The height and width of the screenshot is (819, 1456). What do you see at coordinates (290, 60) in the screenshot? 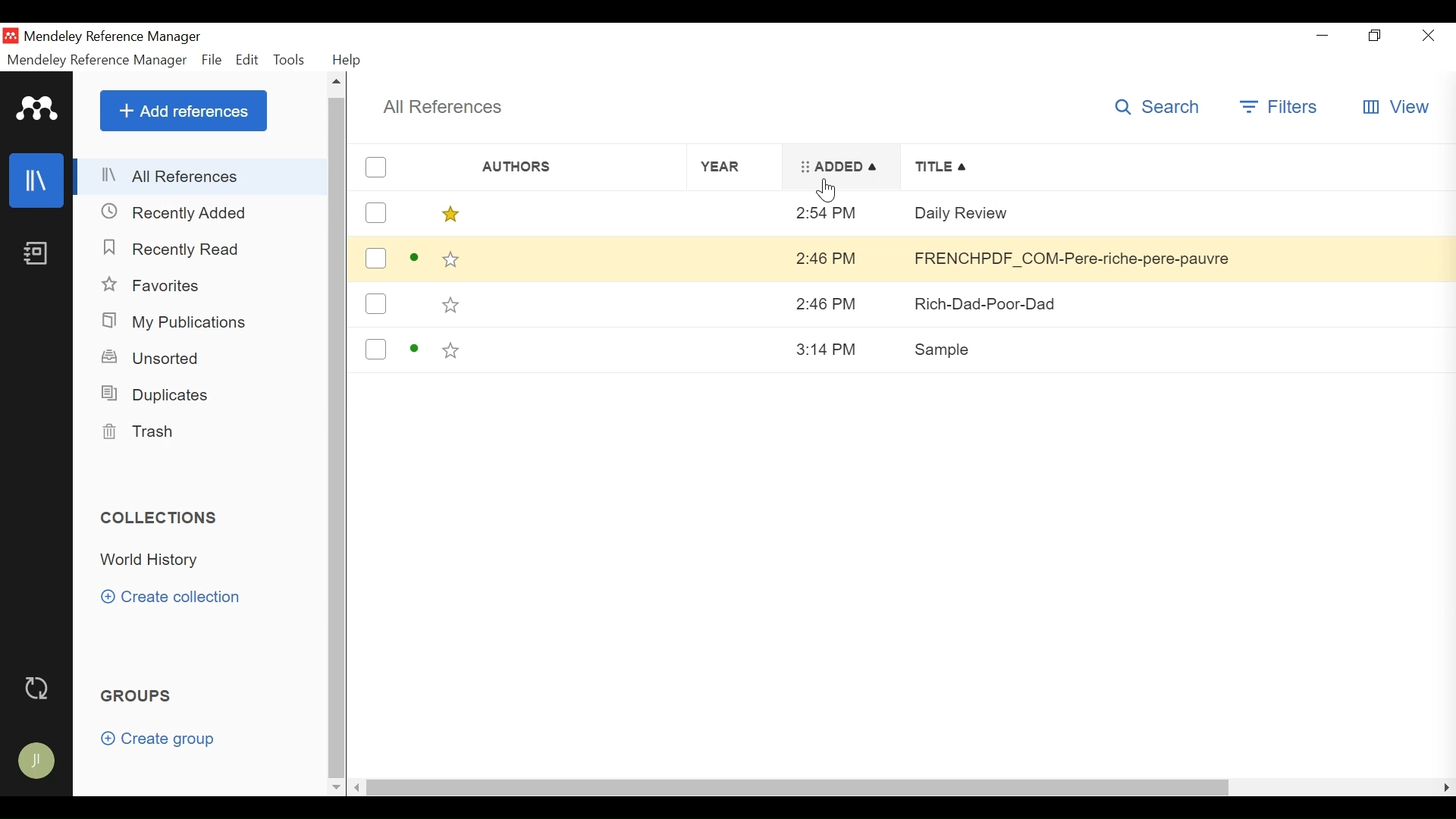
I see `Tools` at bounding box center [290, 60].